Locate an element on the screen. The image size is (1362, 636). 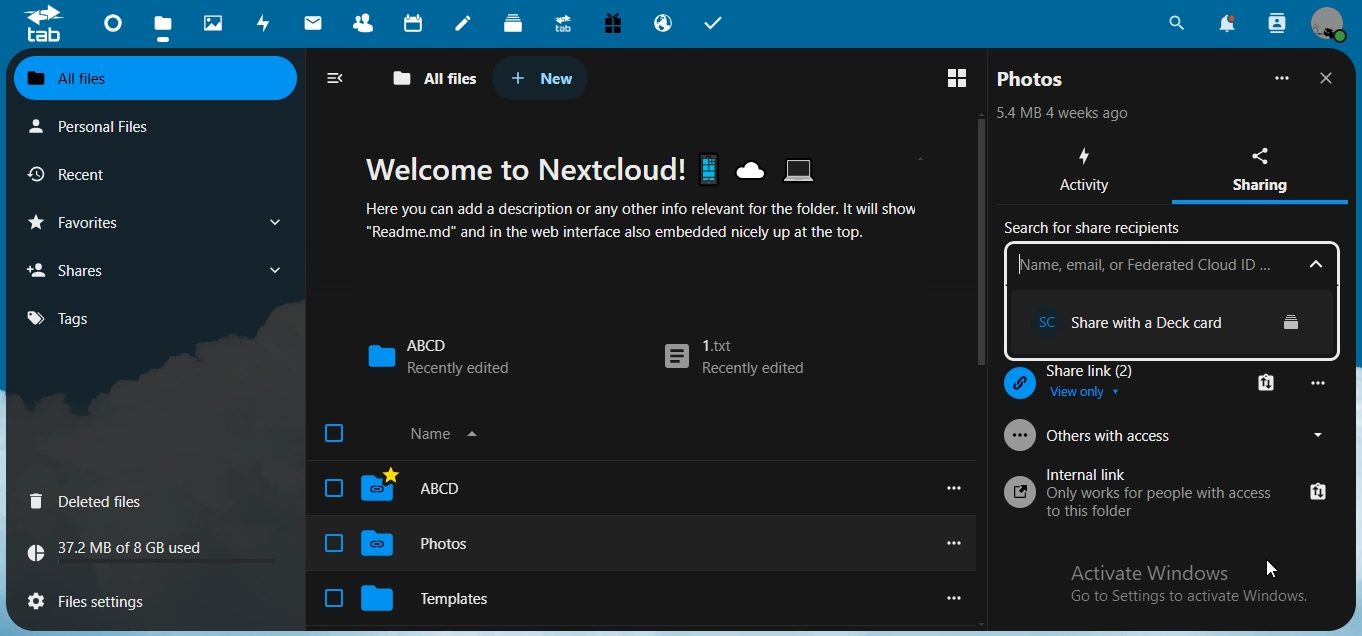
photos is located at coordinates (1033, 79).